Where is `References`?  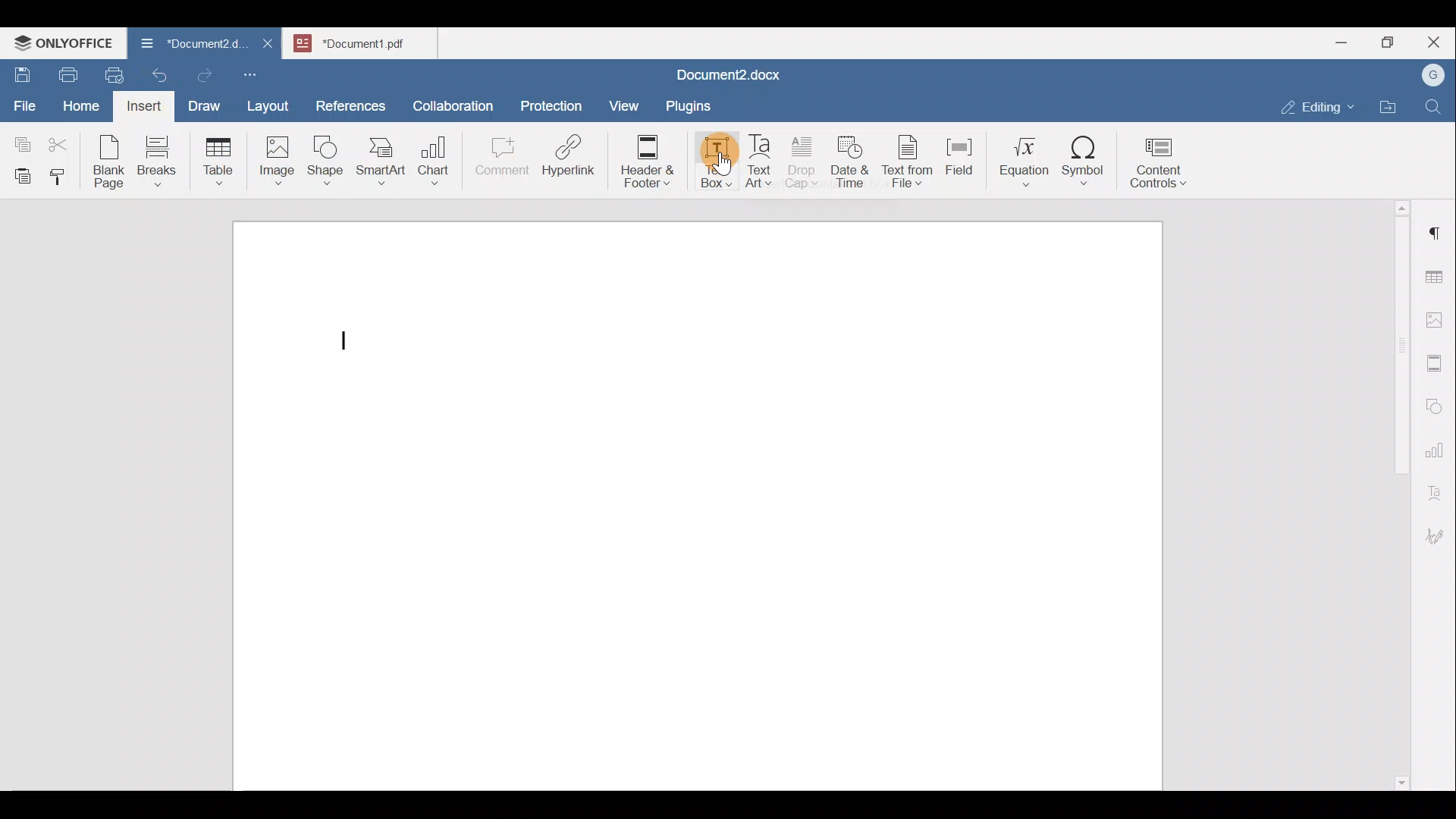 References is located at coordinates (350, 103).